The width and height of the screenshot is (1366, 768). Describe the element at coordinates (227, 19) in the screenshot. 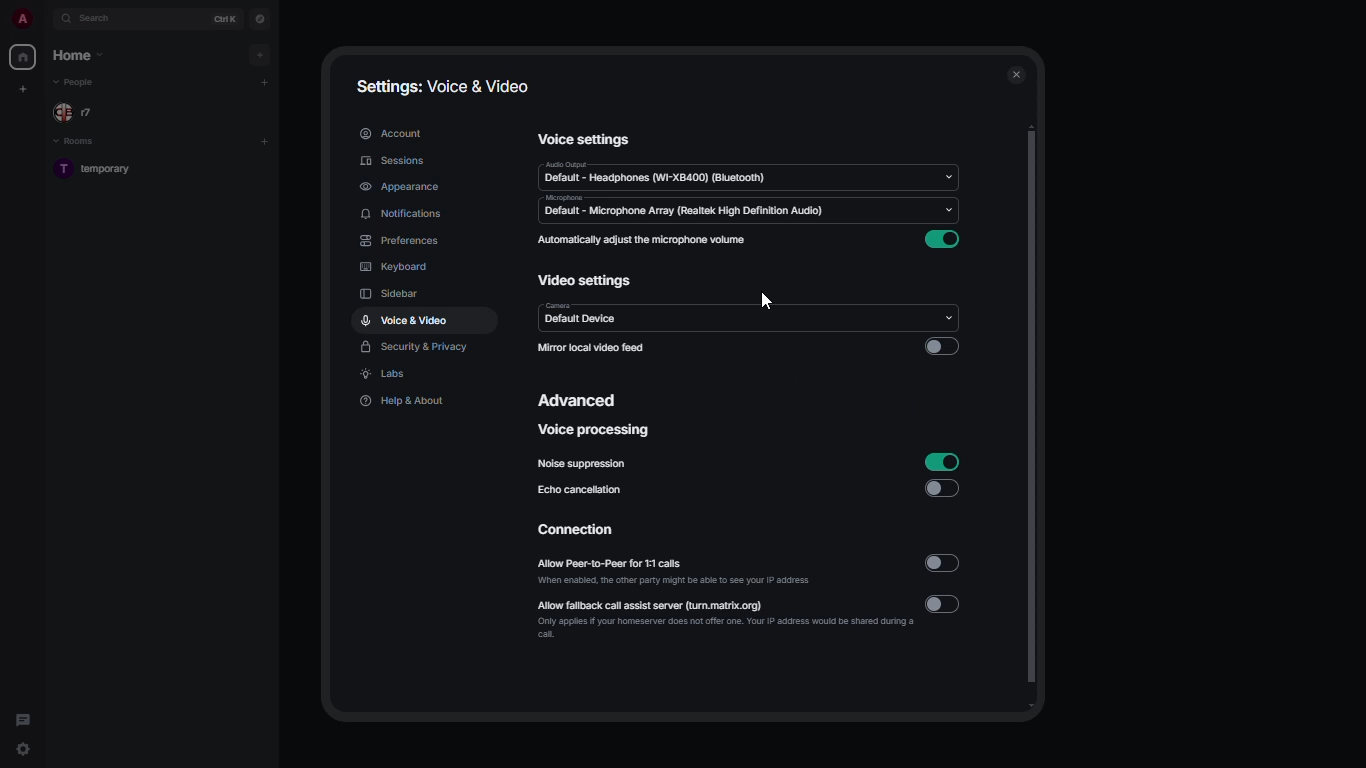

I see `ctrl K` at that location.